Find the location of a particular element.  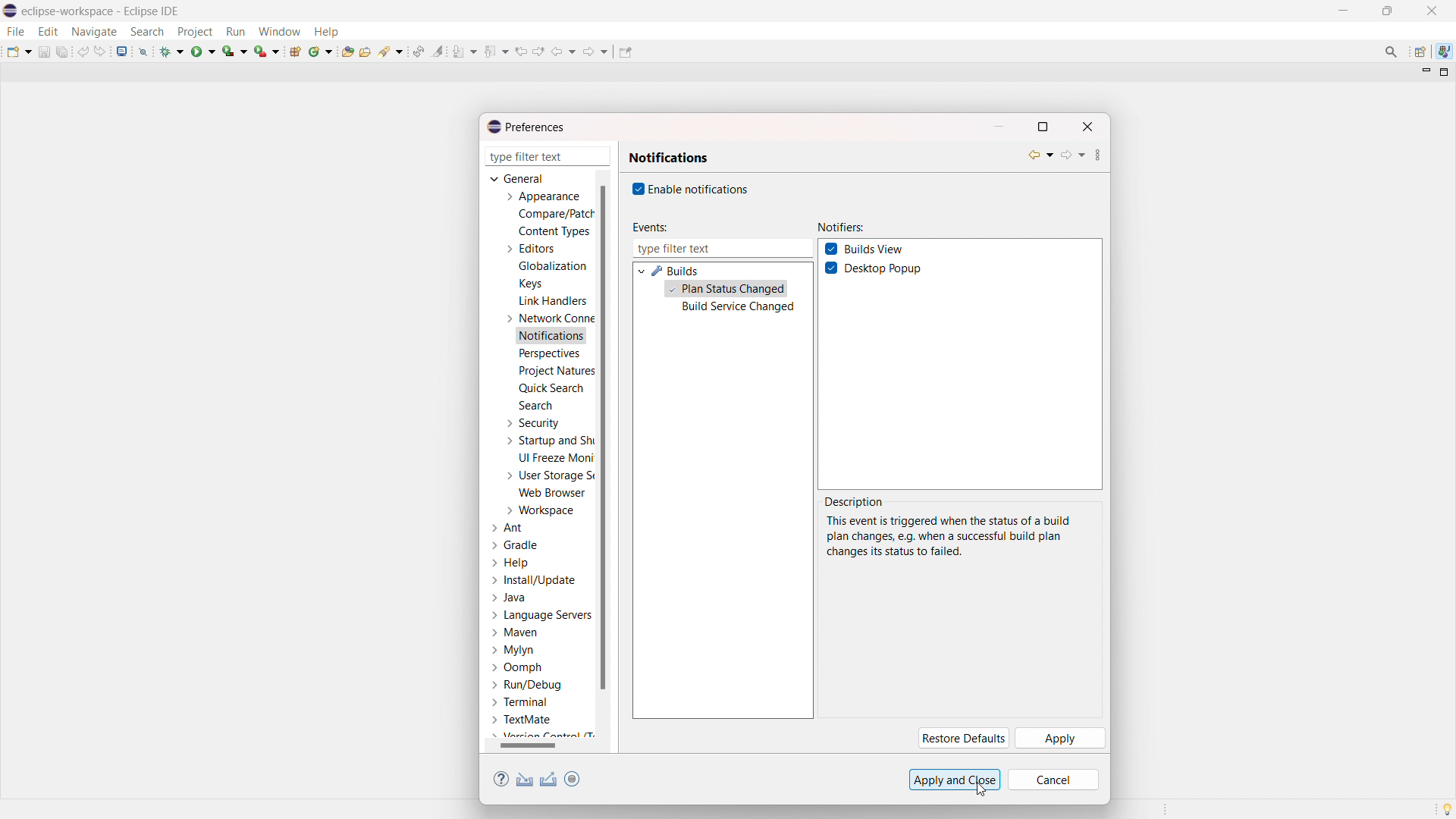

new java class is located at coordinates (322, 51).